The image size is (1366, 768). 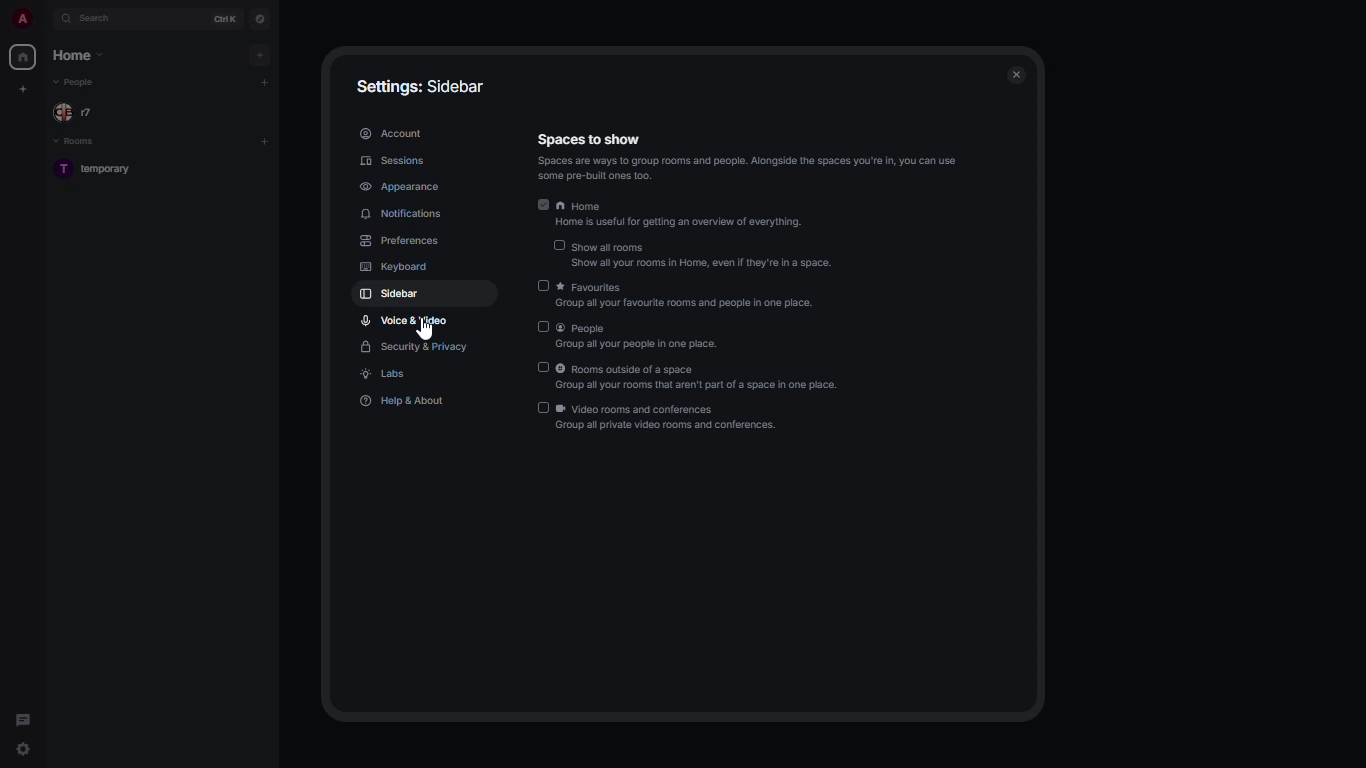 I want to click on disabled, so click(x=544, y=285).